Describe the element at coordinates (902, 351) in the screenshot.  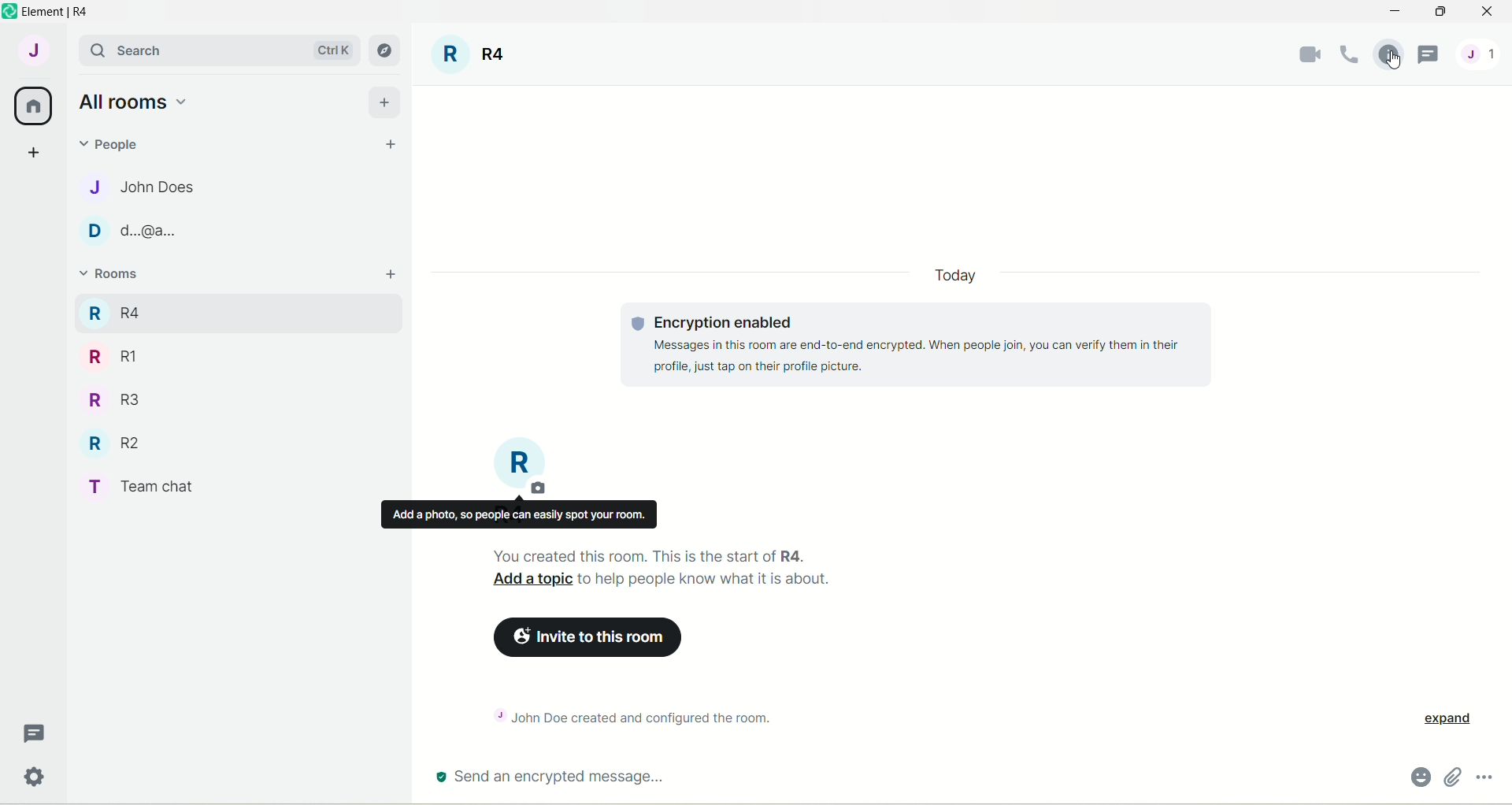
I see `© Encryption enabled
Messages in this room are end-to-end encrypted. When people join, you can verify them in their
profile, just tap on their profile picture.` at that location.